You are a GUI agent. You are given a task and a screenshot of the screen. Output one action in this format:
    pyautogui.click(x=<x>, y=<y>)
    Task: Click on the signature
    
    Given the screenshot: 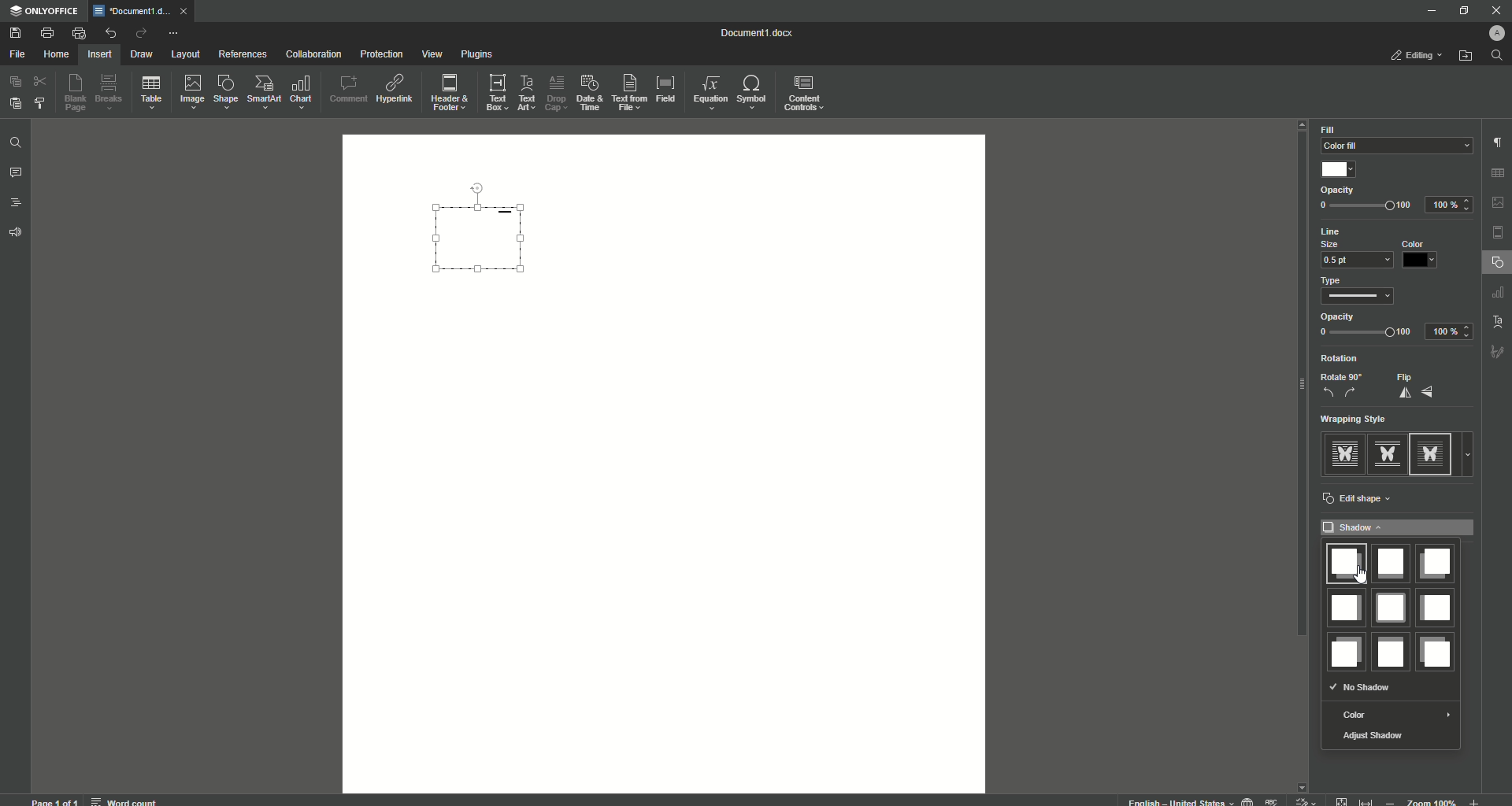 What is the action you would take?
    pyautogui.click(x=1498, y=353)
    